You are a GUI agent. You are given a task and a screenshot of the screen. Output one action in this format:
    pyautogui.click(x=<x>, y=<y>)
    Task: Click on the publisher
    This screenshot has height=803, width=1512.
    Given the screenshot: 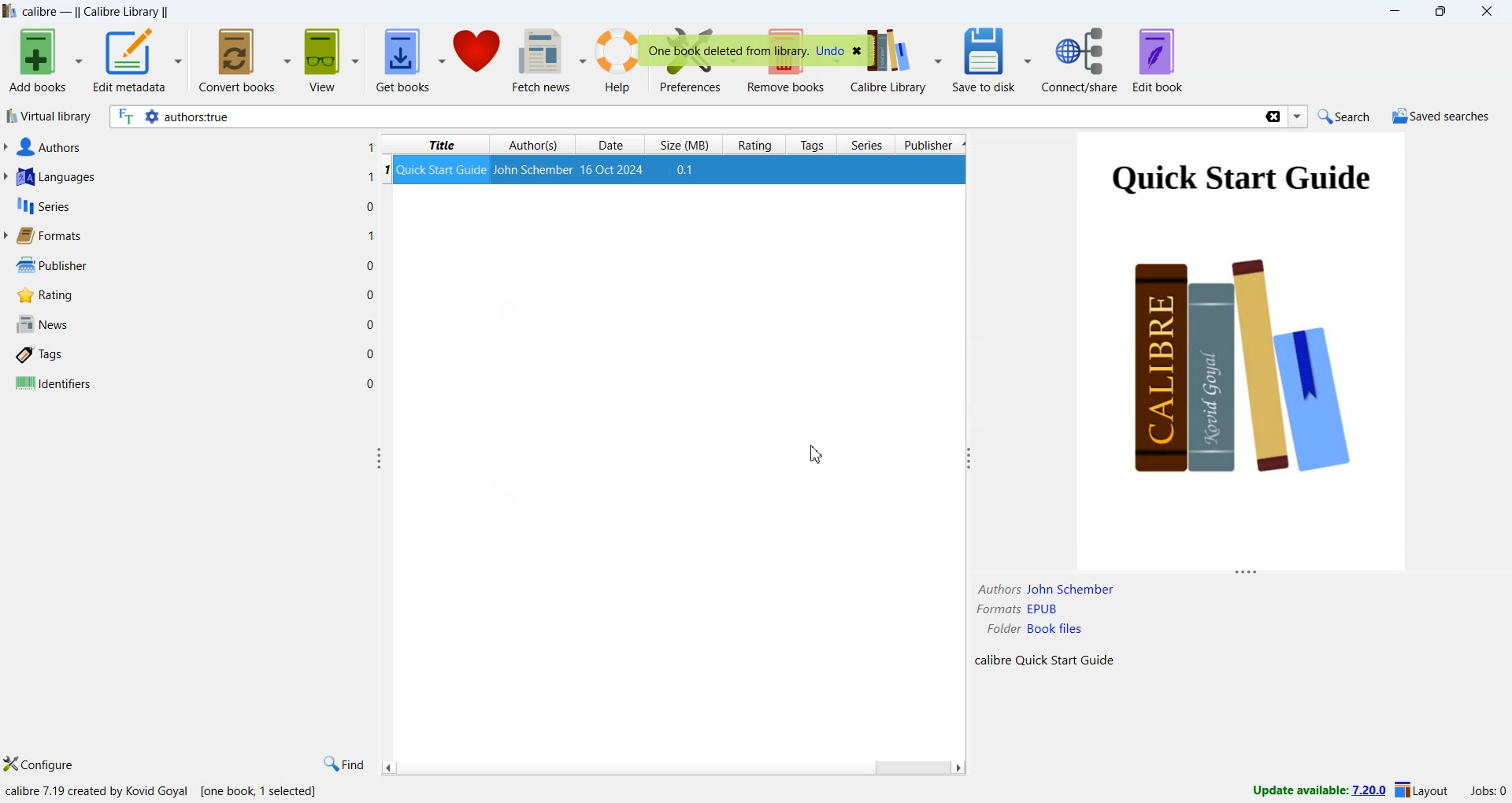 What is the action you would take?
    pyautogui.click(x=932, y=146)
    